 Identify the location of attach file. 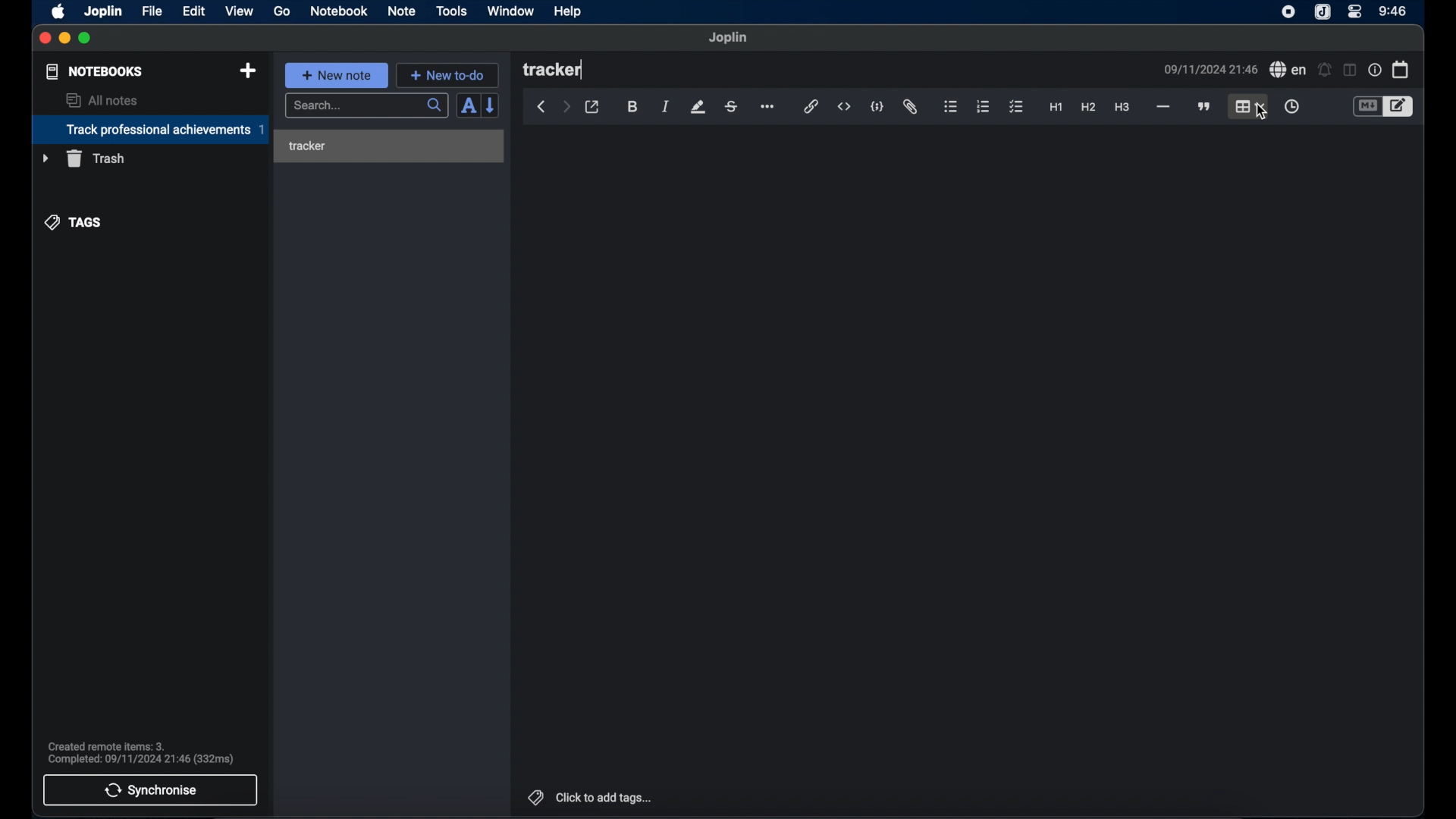
(912, 108).